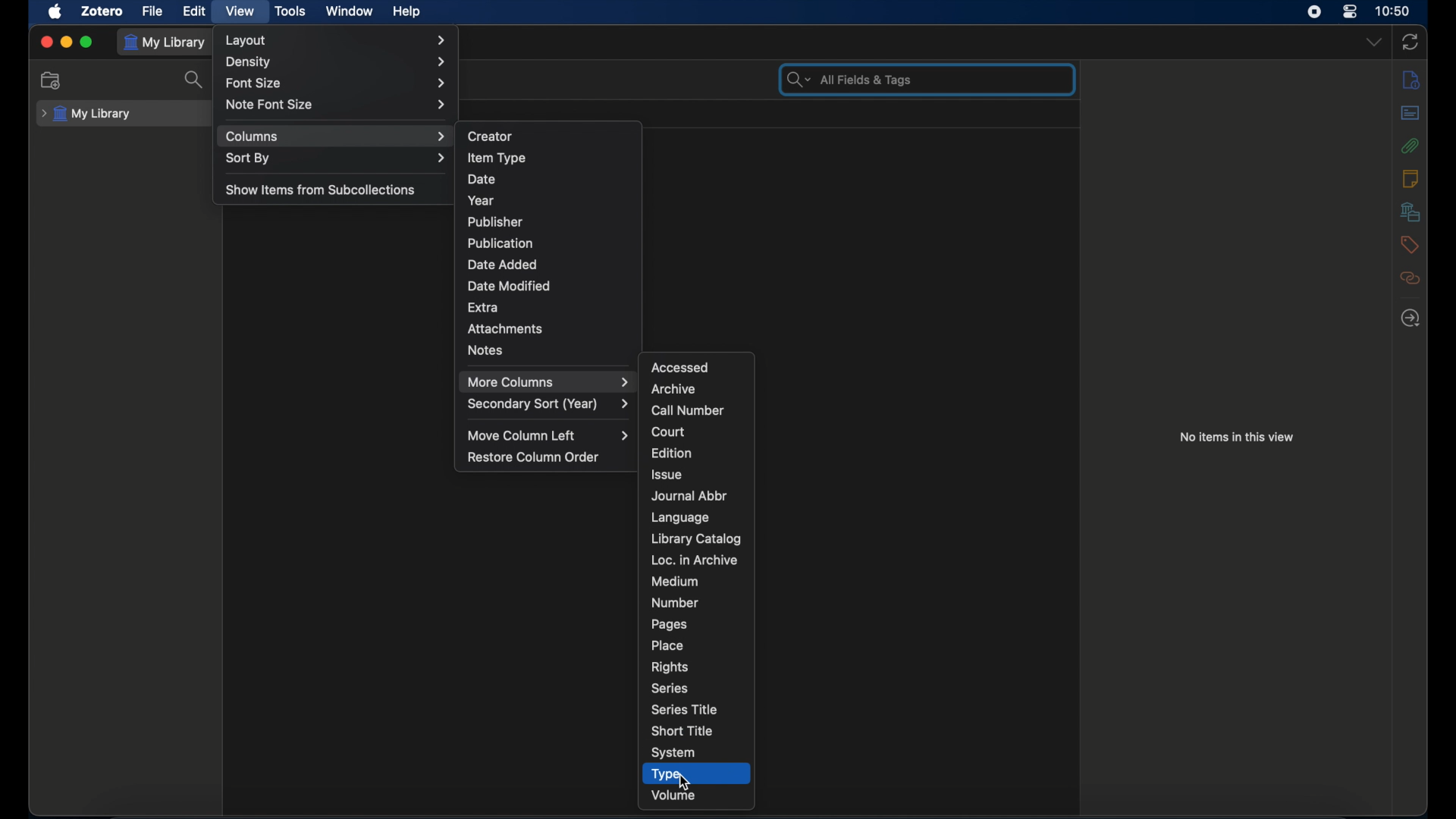  Describe the element at coordinates (336, 158) in the screenshot. I see `sort by` at that location.